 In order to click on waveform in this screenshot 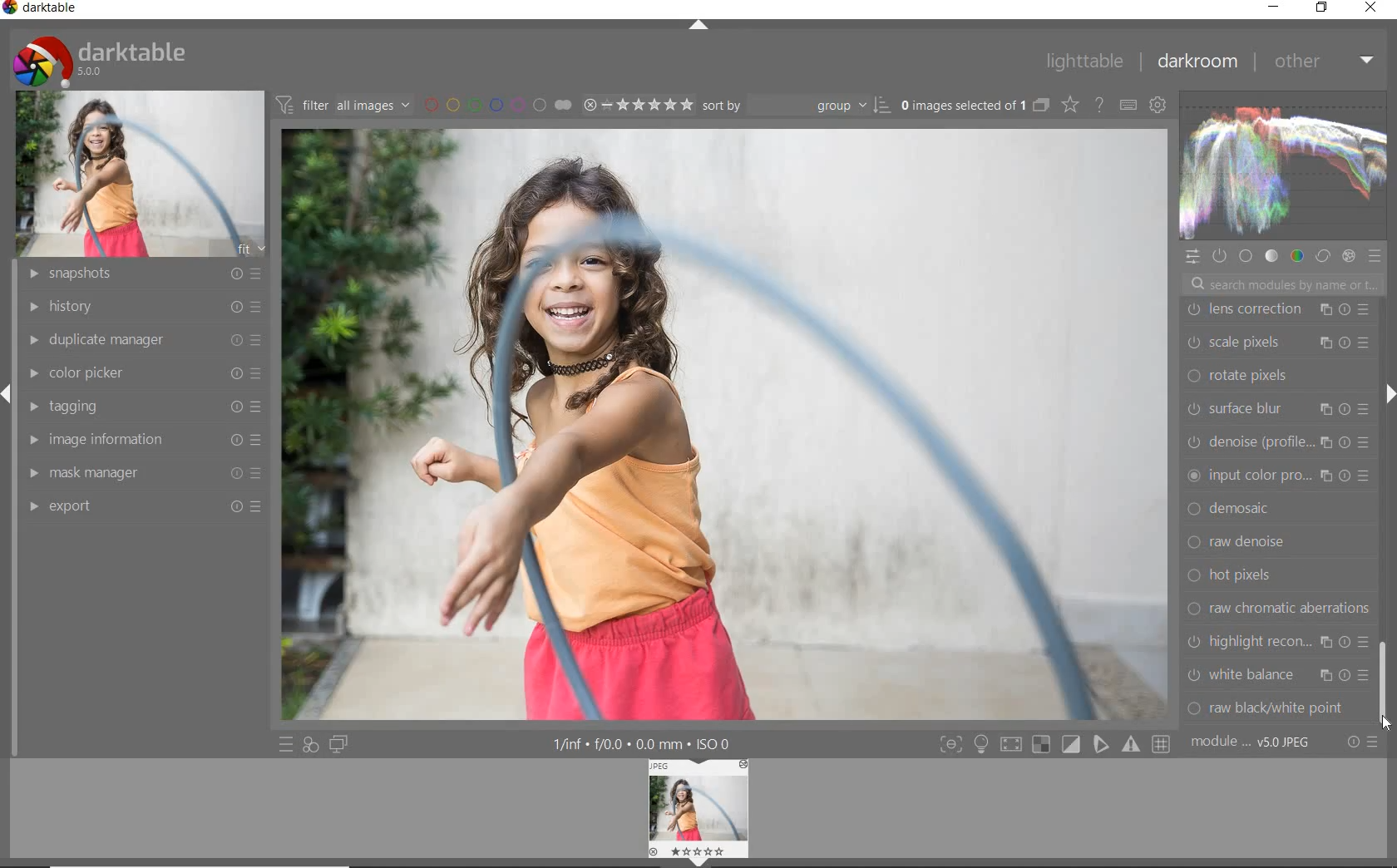, I will do `click(1281, 165)`.